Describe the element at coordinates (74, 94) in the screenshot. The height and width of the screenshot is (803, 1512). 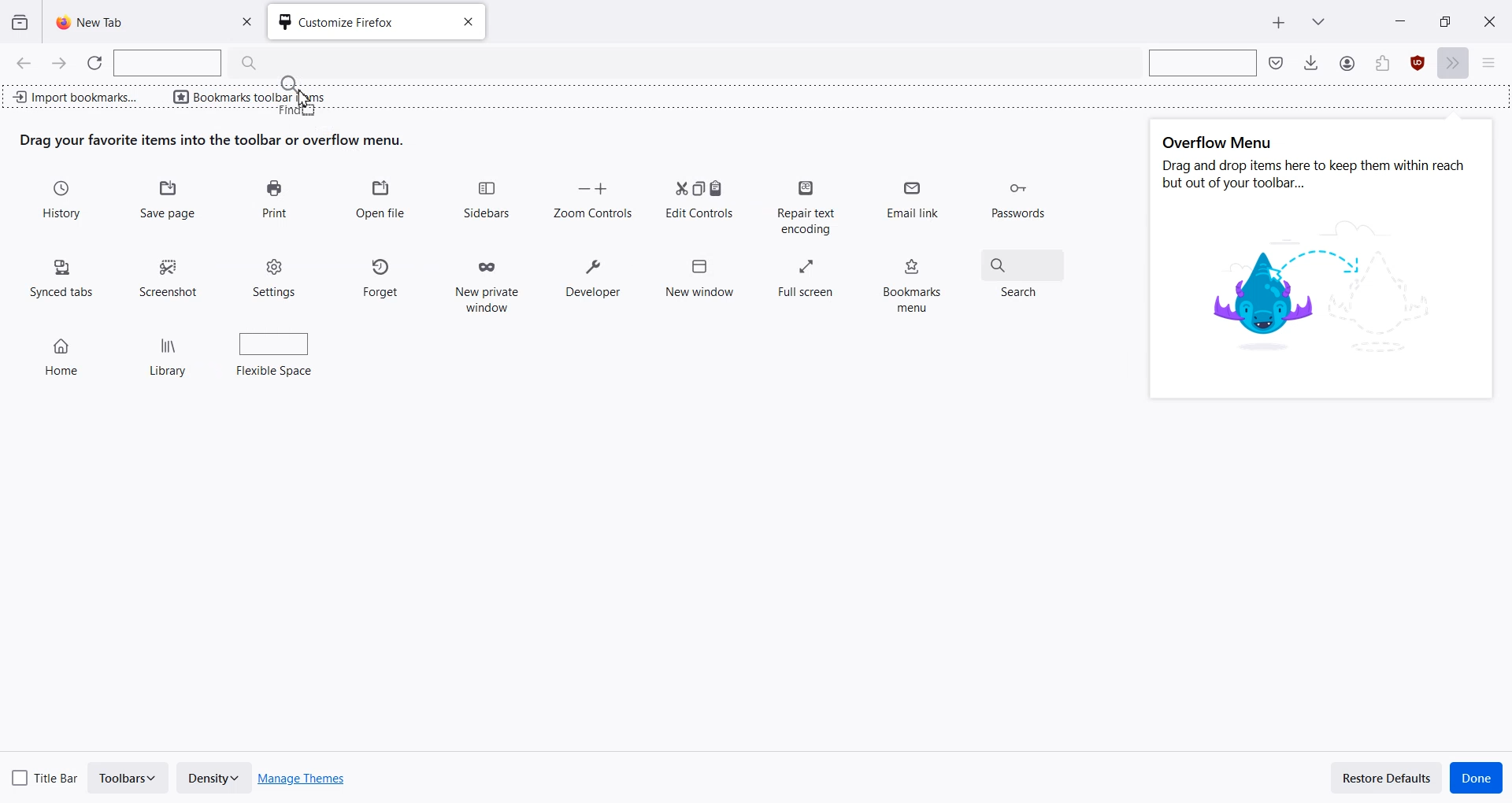
I see `Import bookmark` at that location.